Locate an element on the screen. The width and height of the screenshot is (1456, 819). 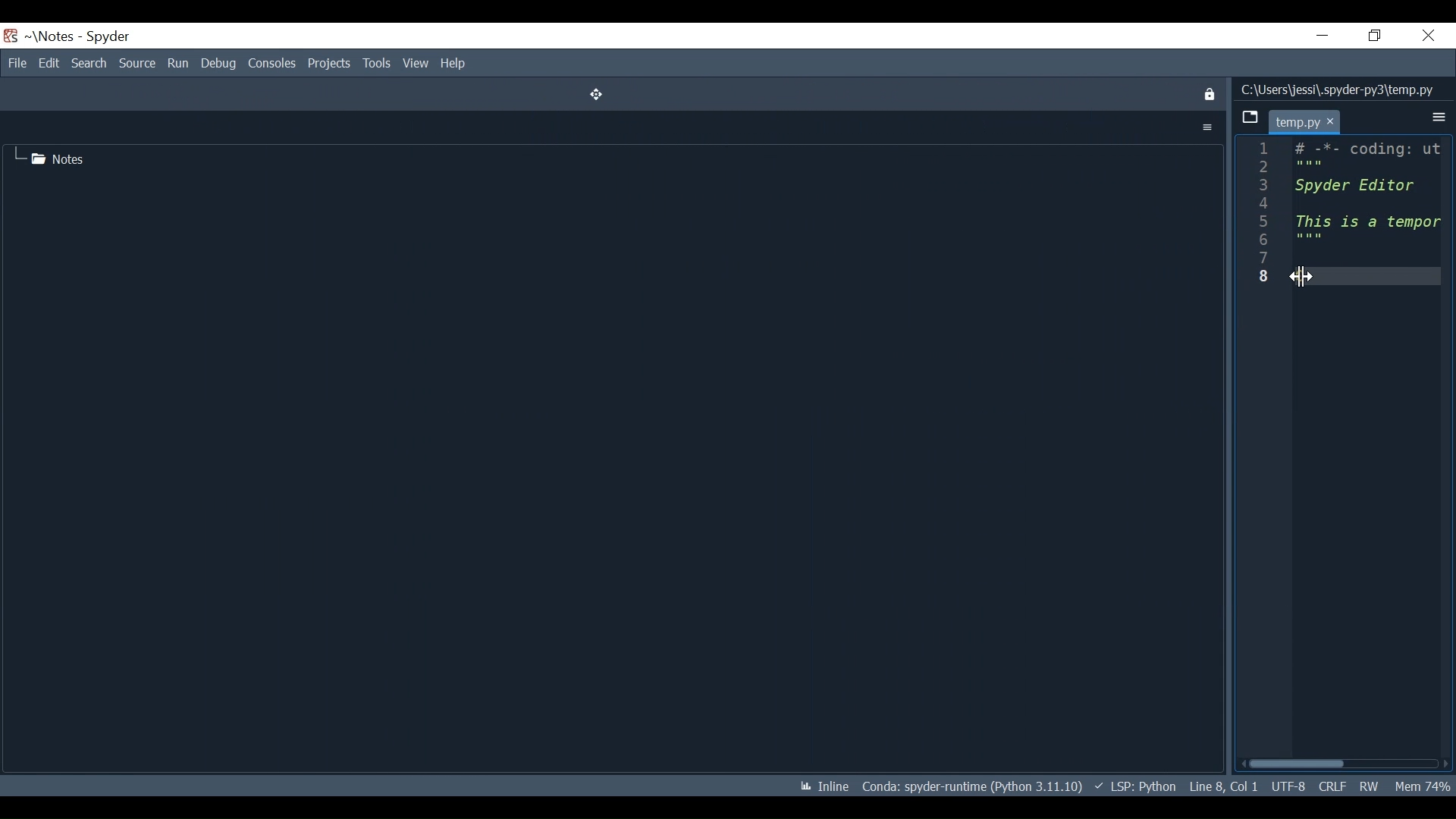
# -*- coding: ut: Spyder Editor This is a tempor is located at coordinates (1366, 195).